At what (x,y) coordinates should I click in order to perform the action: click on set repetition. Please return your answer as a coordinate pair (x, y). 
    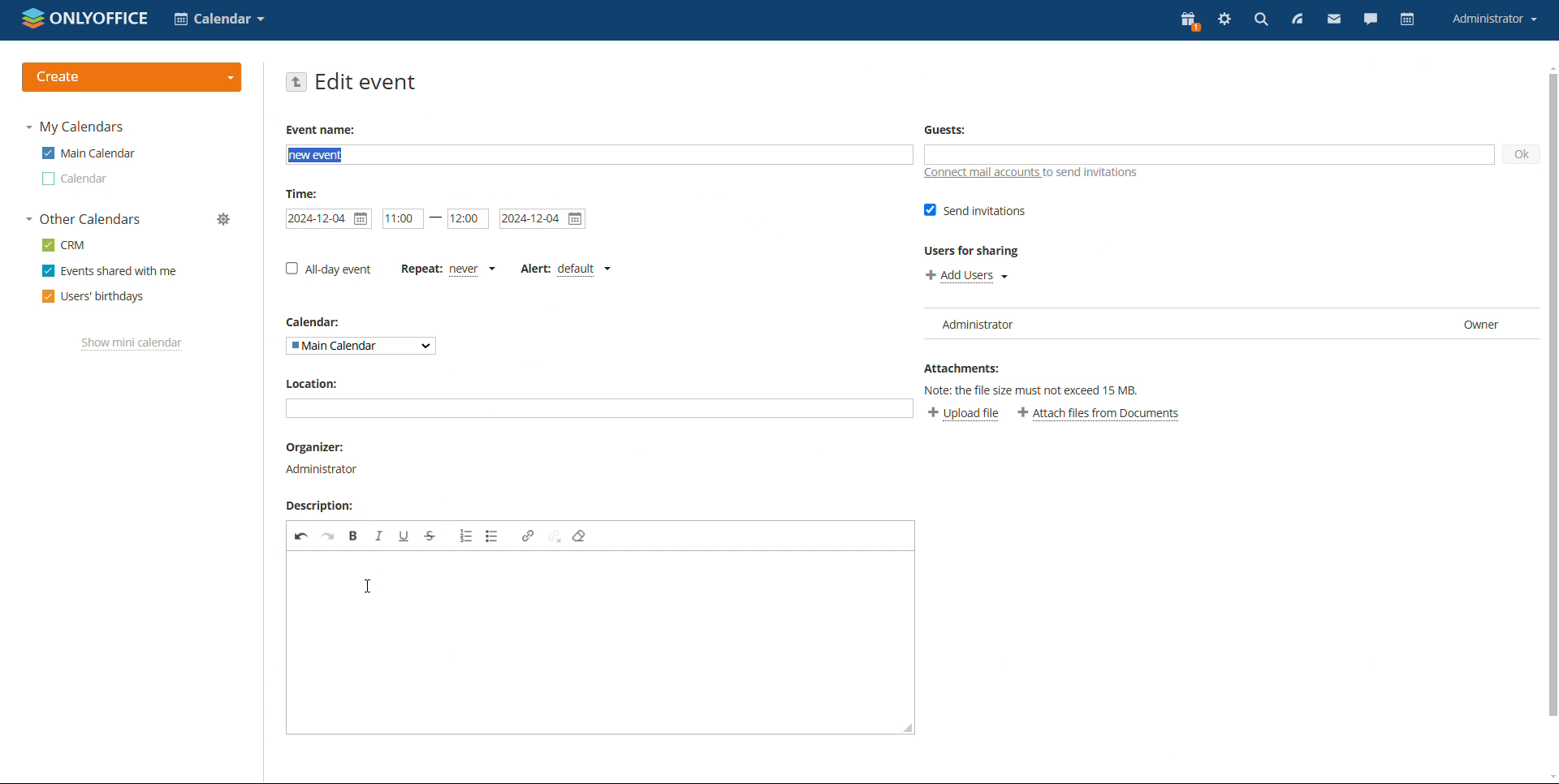
    Looking at the image, I should click on (419, 267).